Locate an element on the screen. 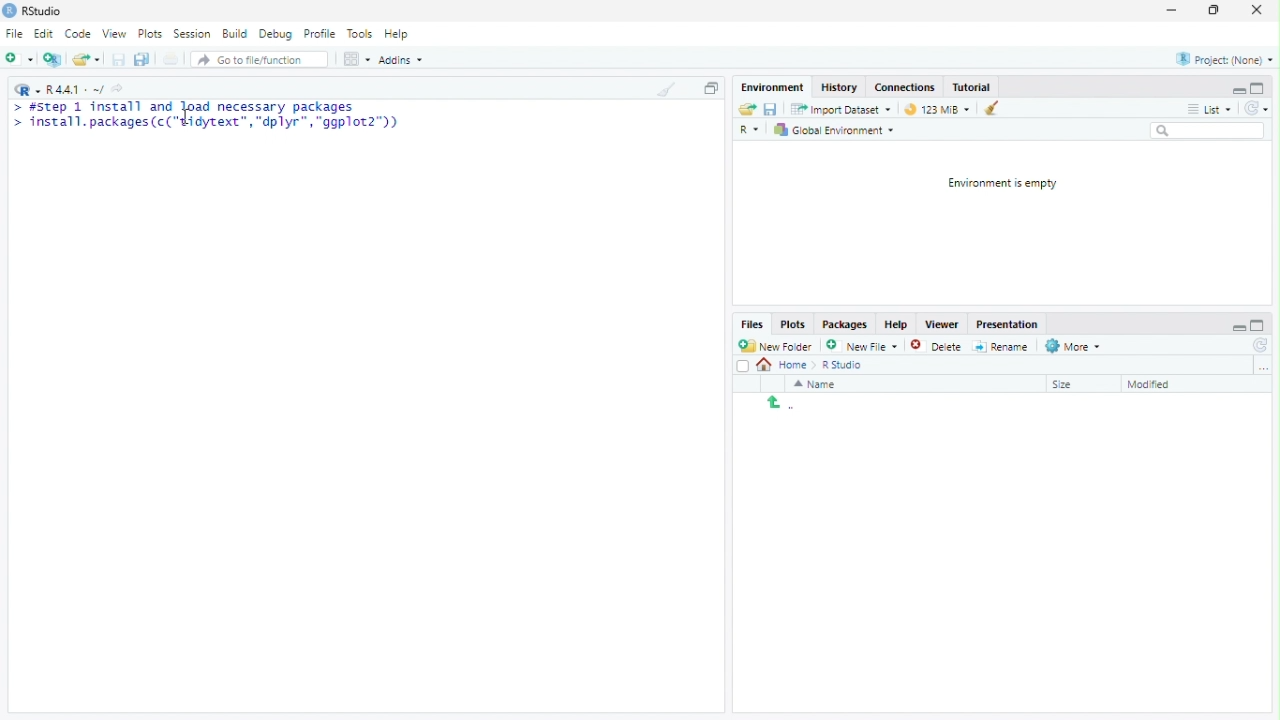 This screenshot has height=720, width=1280. Close is located at coordinates (1256, 11).